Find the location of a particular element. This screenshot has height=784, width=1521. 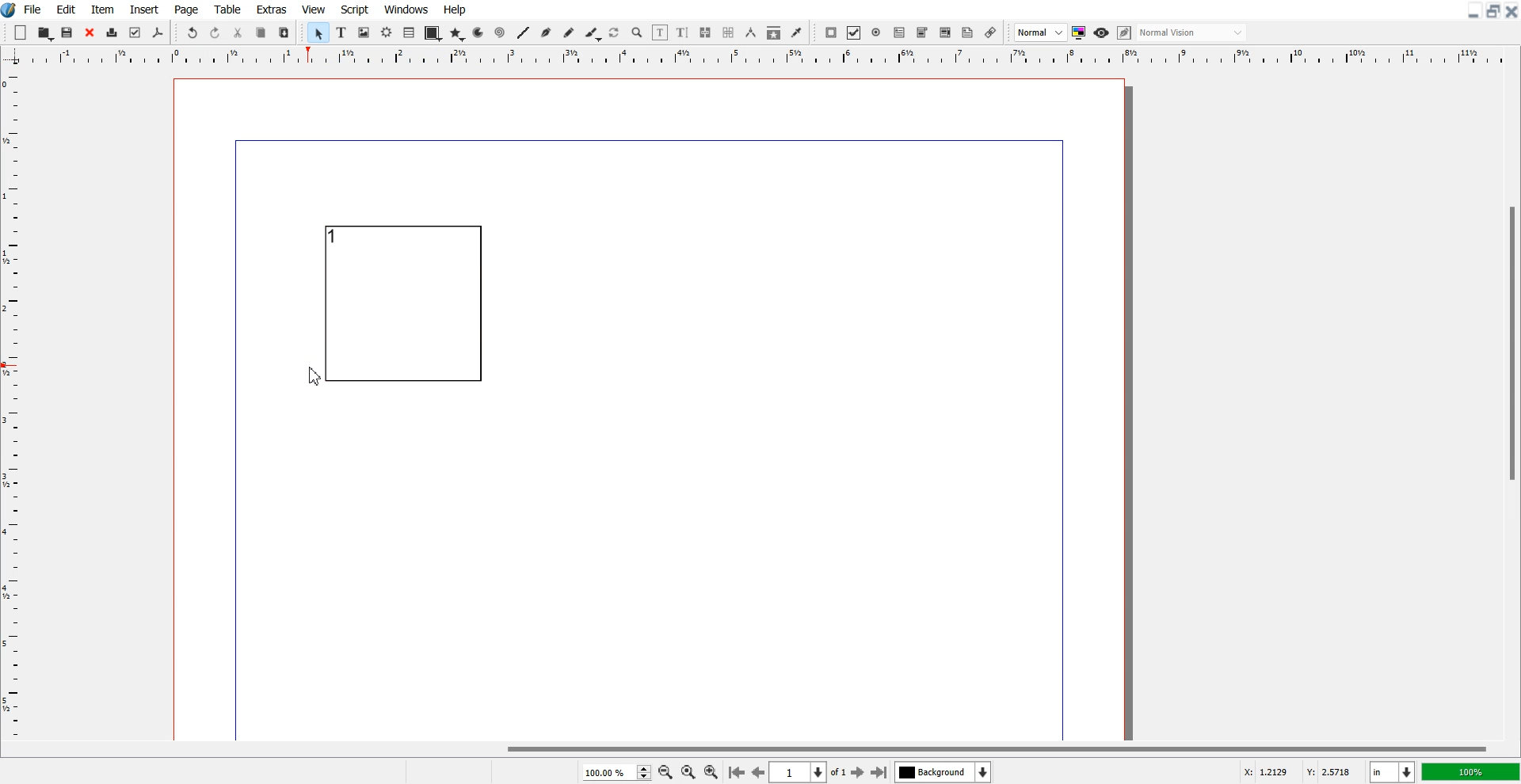

Item is located at coordinates (102, 10).